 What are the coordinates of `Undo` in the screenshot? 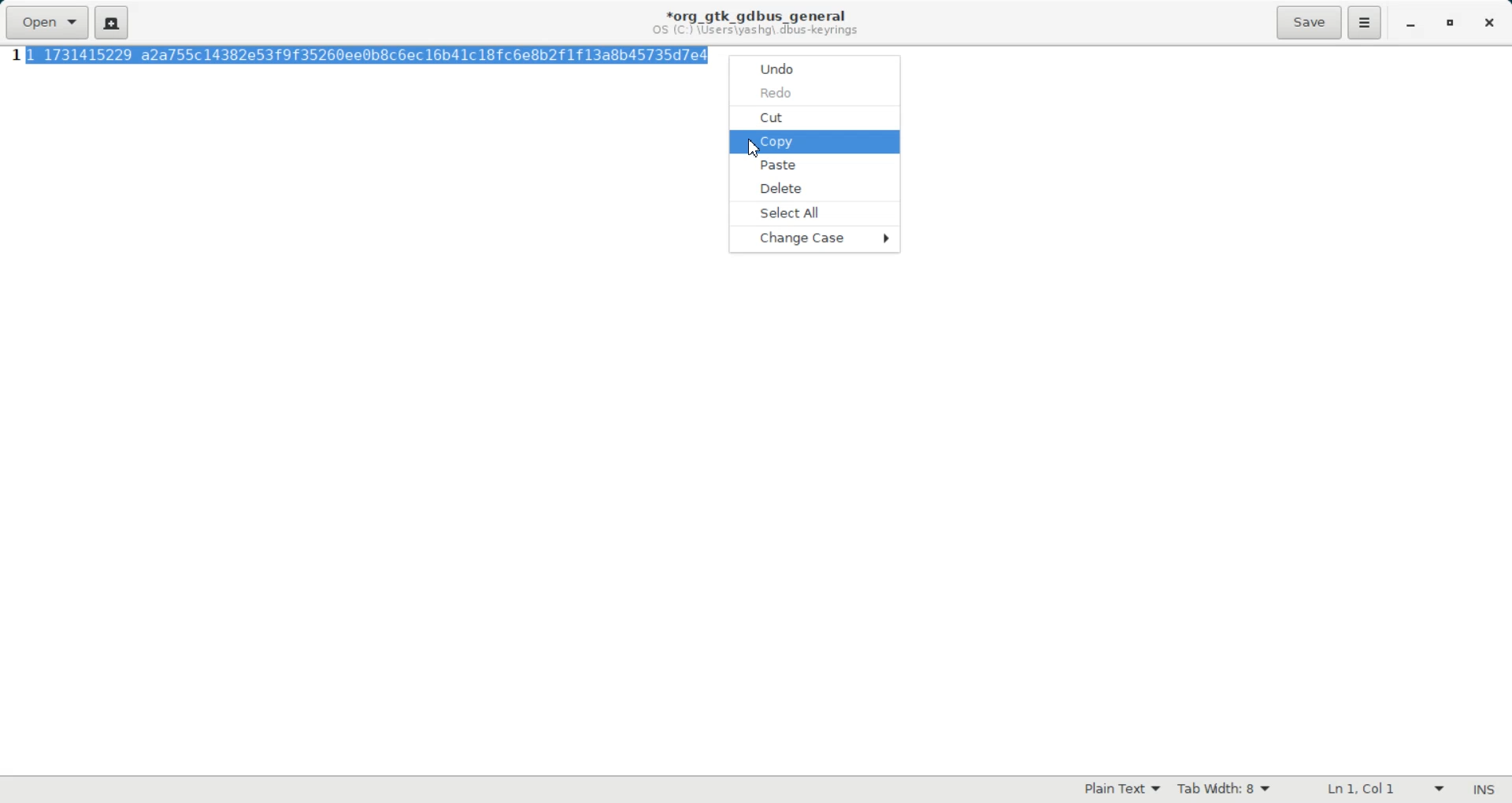 It's located at (810, 71).